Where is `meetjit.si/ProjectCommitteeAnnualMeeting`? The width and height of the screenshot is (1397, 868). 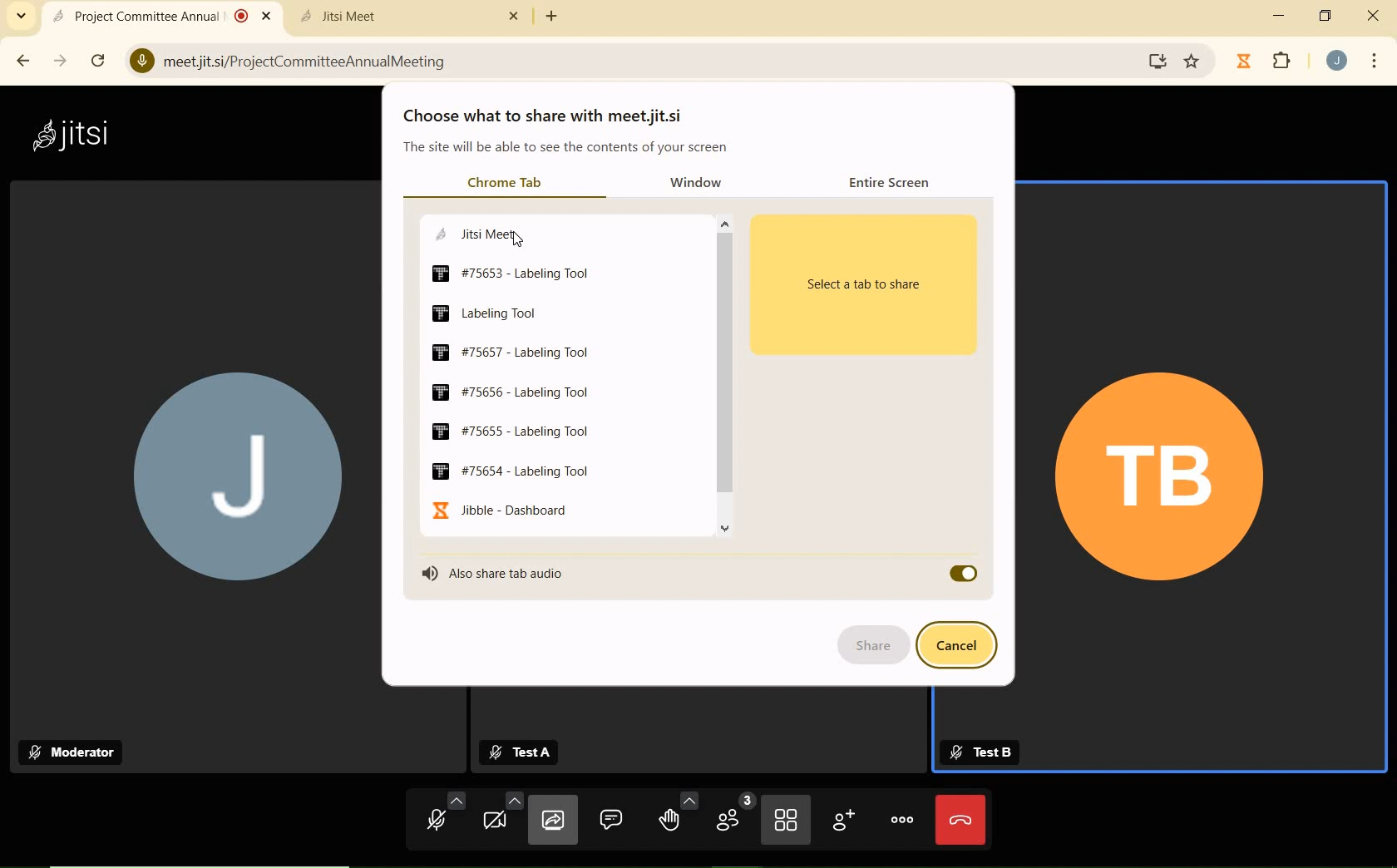
meetjit.si/ProjectCommitteeAnnualMeeting is located at coordinates (624, 60).